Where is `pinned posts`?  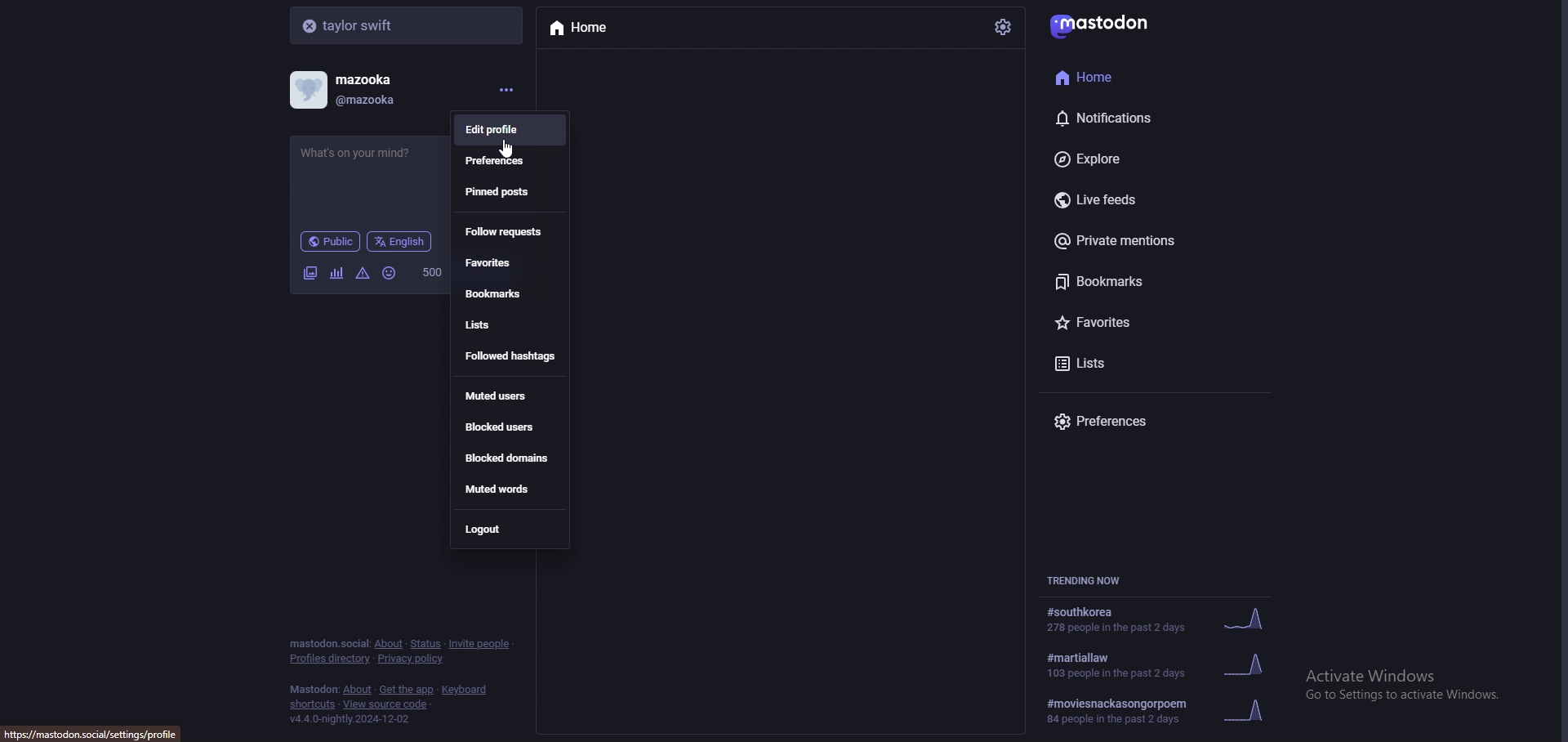
pinned posts is located at coordinates (513, 192).